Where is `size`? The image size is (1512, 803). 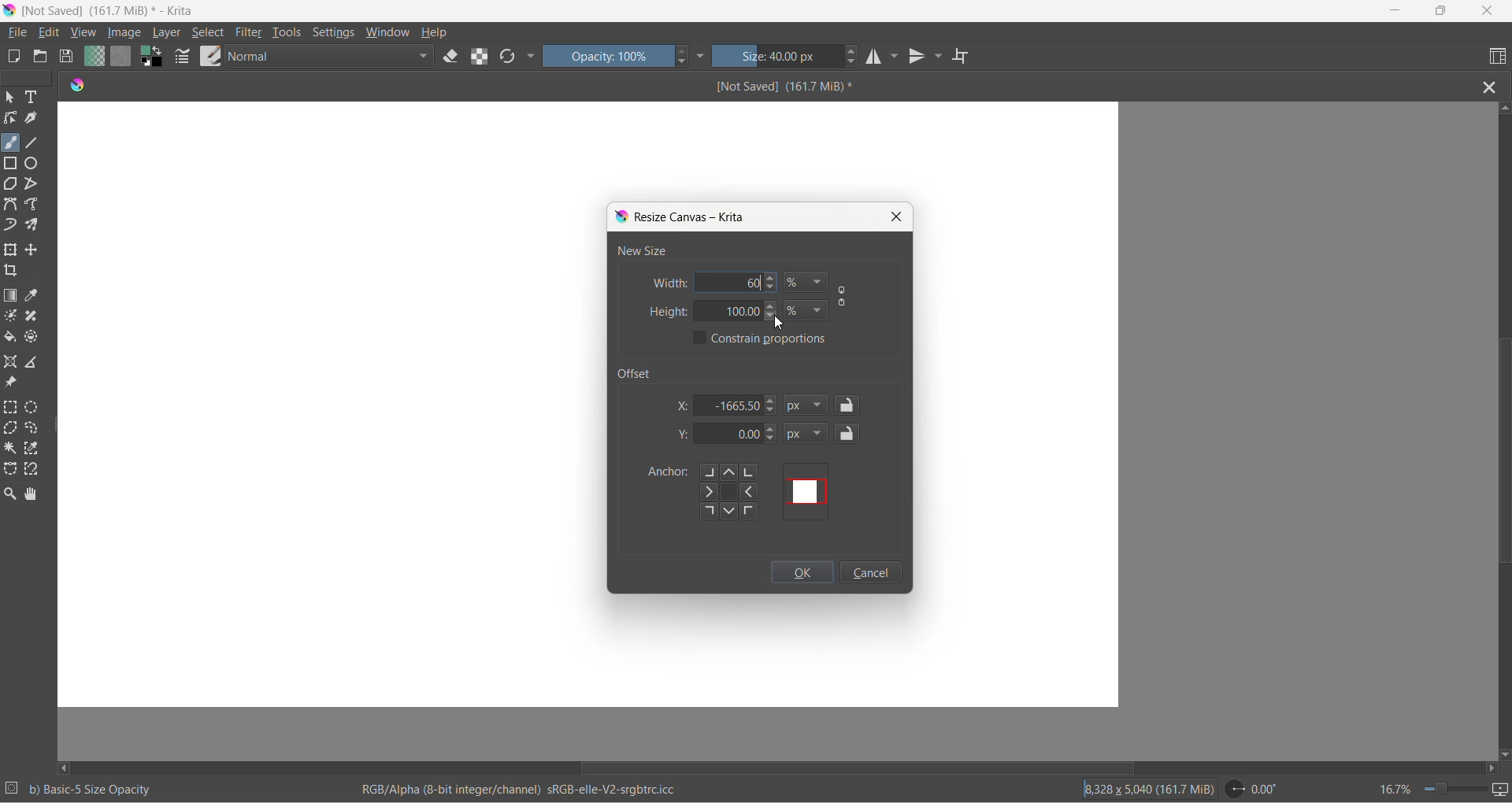
size is located at coordinates (778, 57).